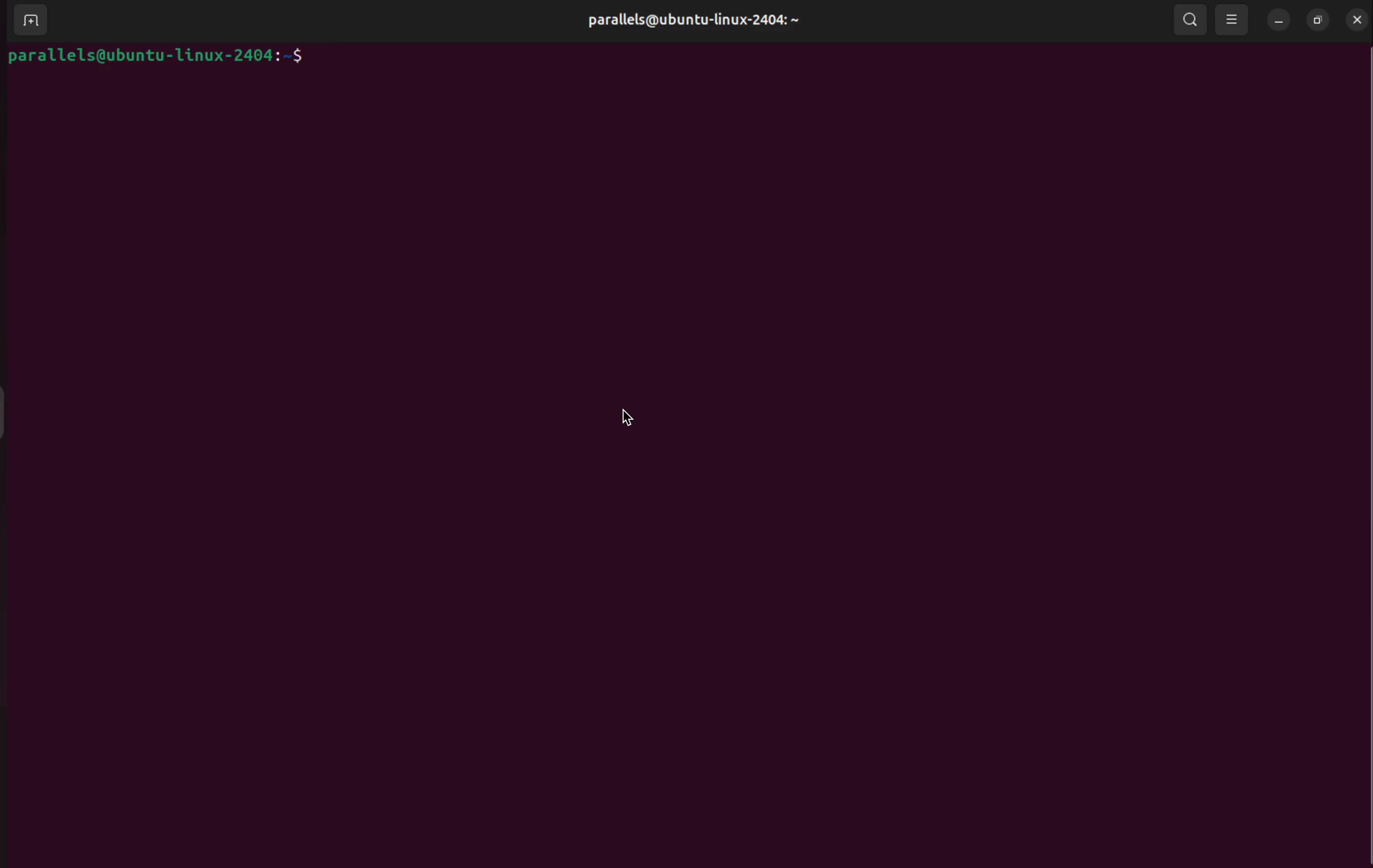 The height and width of the screenshot is (868, 1373). I want to click on cursor, so click(624, 417).